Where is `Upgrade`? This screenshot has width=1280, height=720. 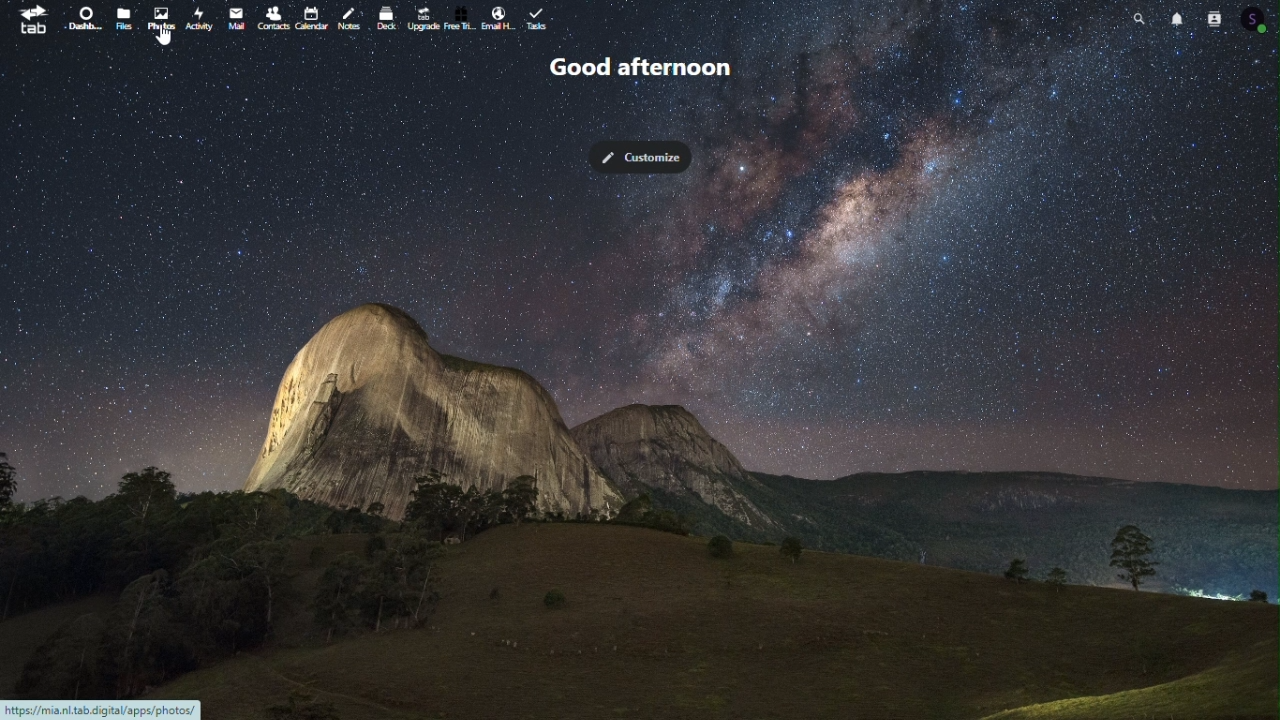 Upgrade is located at coordinates (423, 21).